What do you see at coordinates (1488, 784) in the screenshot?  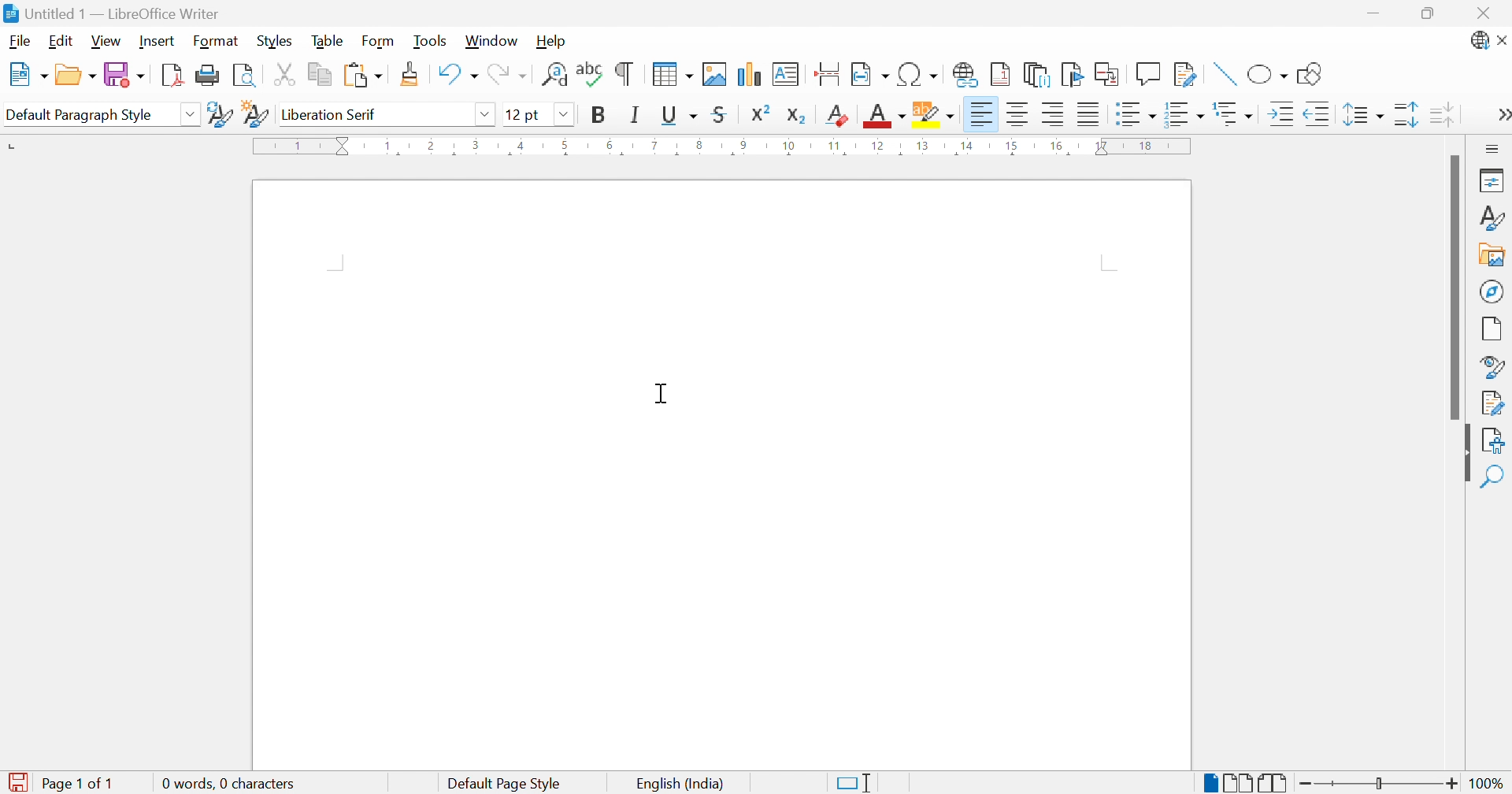 I see `100%` at bounding box center [1488, 784].